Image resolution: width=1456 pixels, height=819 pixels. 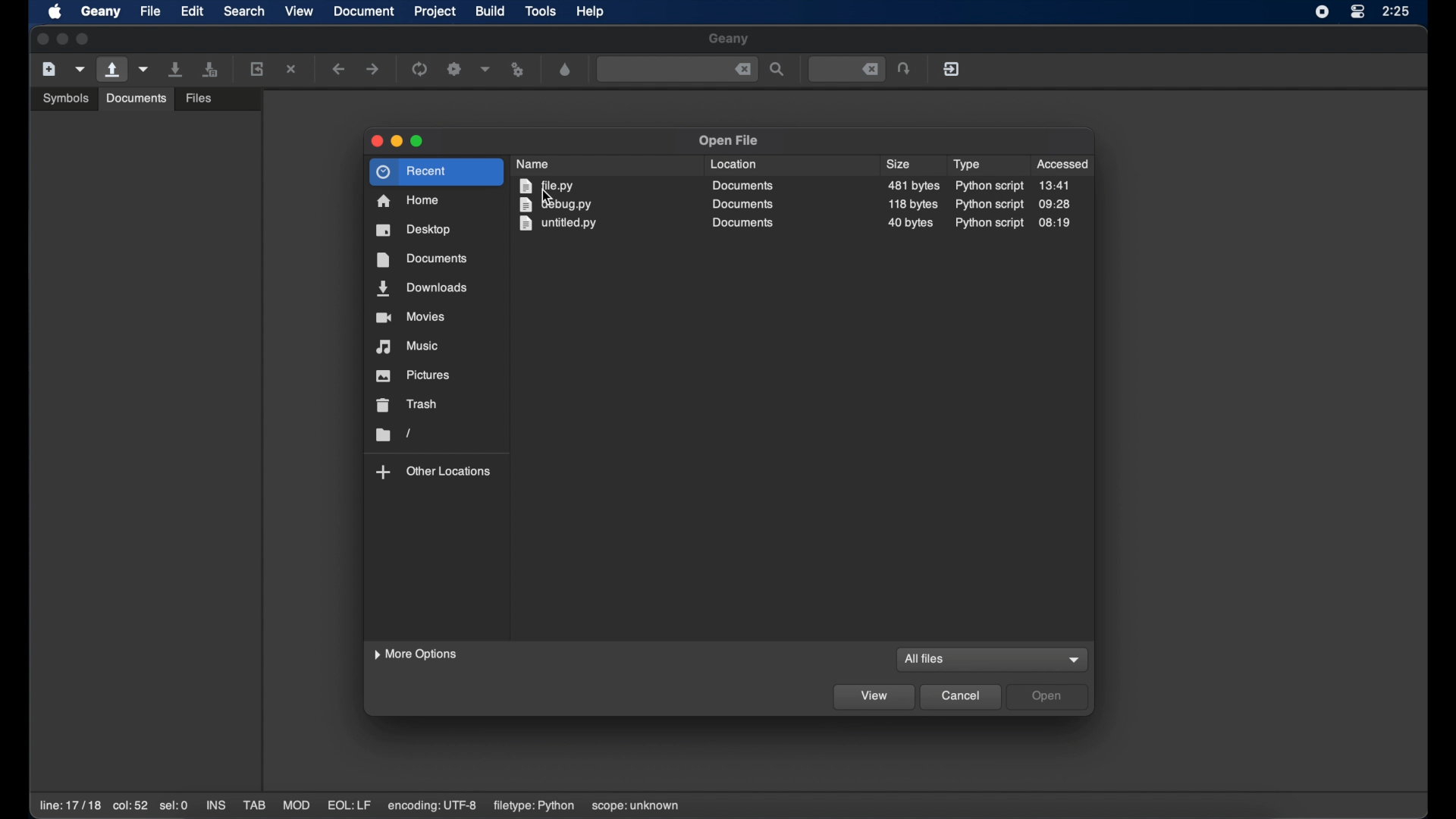 I want to click on tab, so click(x=256, y=805).